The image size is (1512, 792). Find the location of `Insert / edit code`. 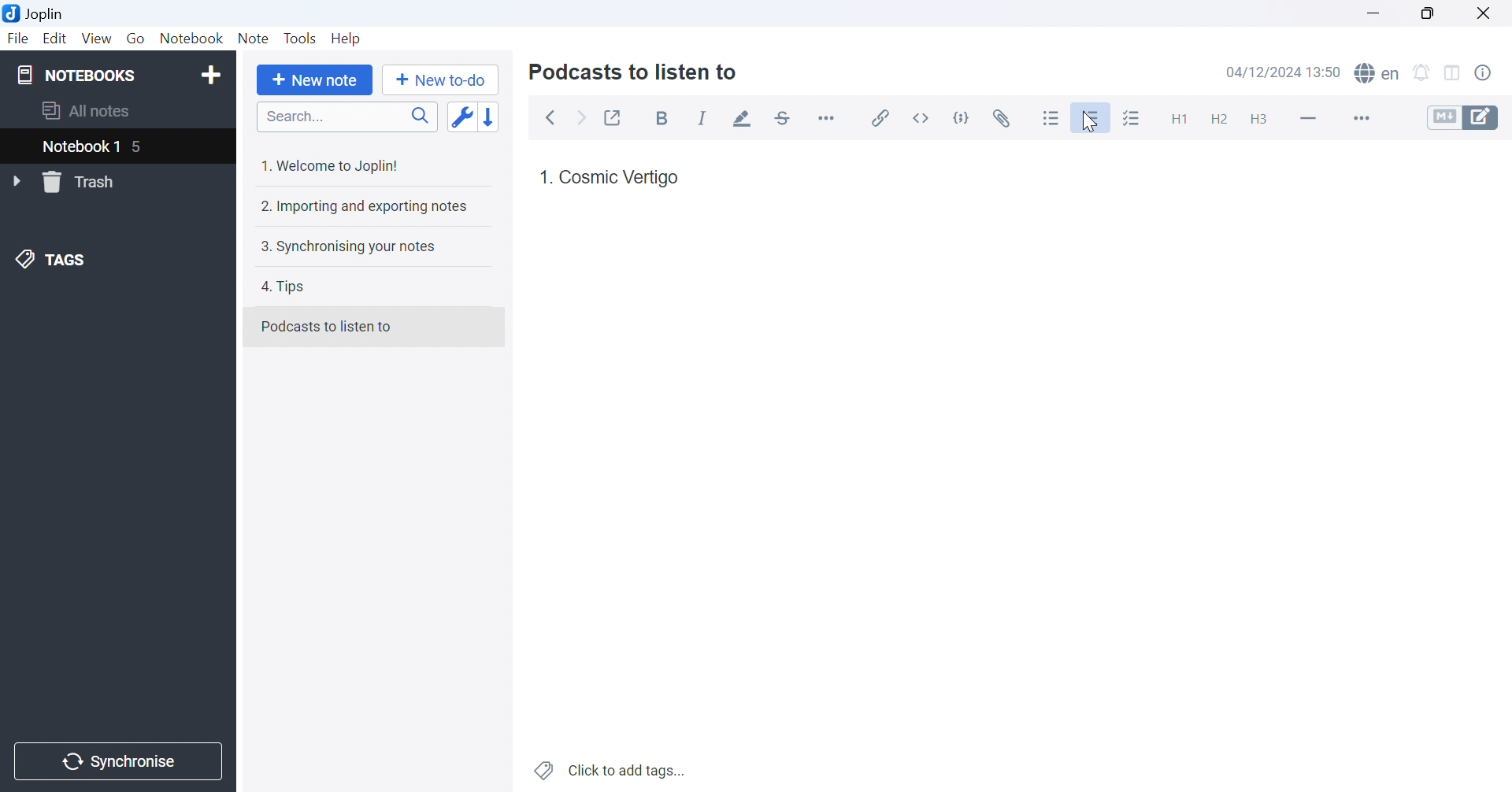

Insert / edit code is located at coordinates (881, 114).